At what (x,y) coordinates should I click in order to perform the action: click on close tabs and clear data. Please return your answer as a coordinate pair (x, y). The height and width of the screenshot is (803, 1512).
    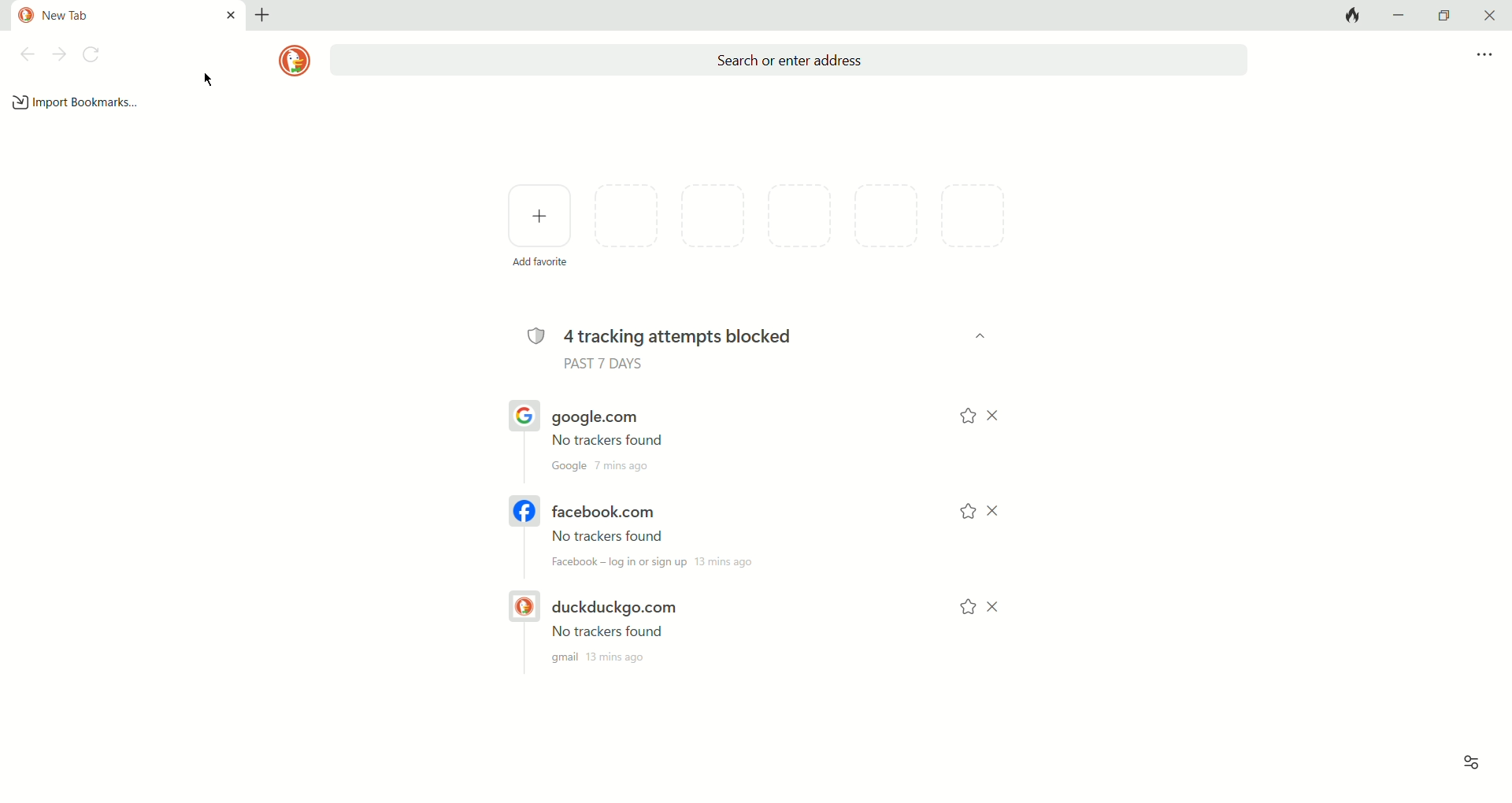
    Looking at the image, I should click on (1353, 16).